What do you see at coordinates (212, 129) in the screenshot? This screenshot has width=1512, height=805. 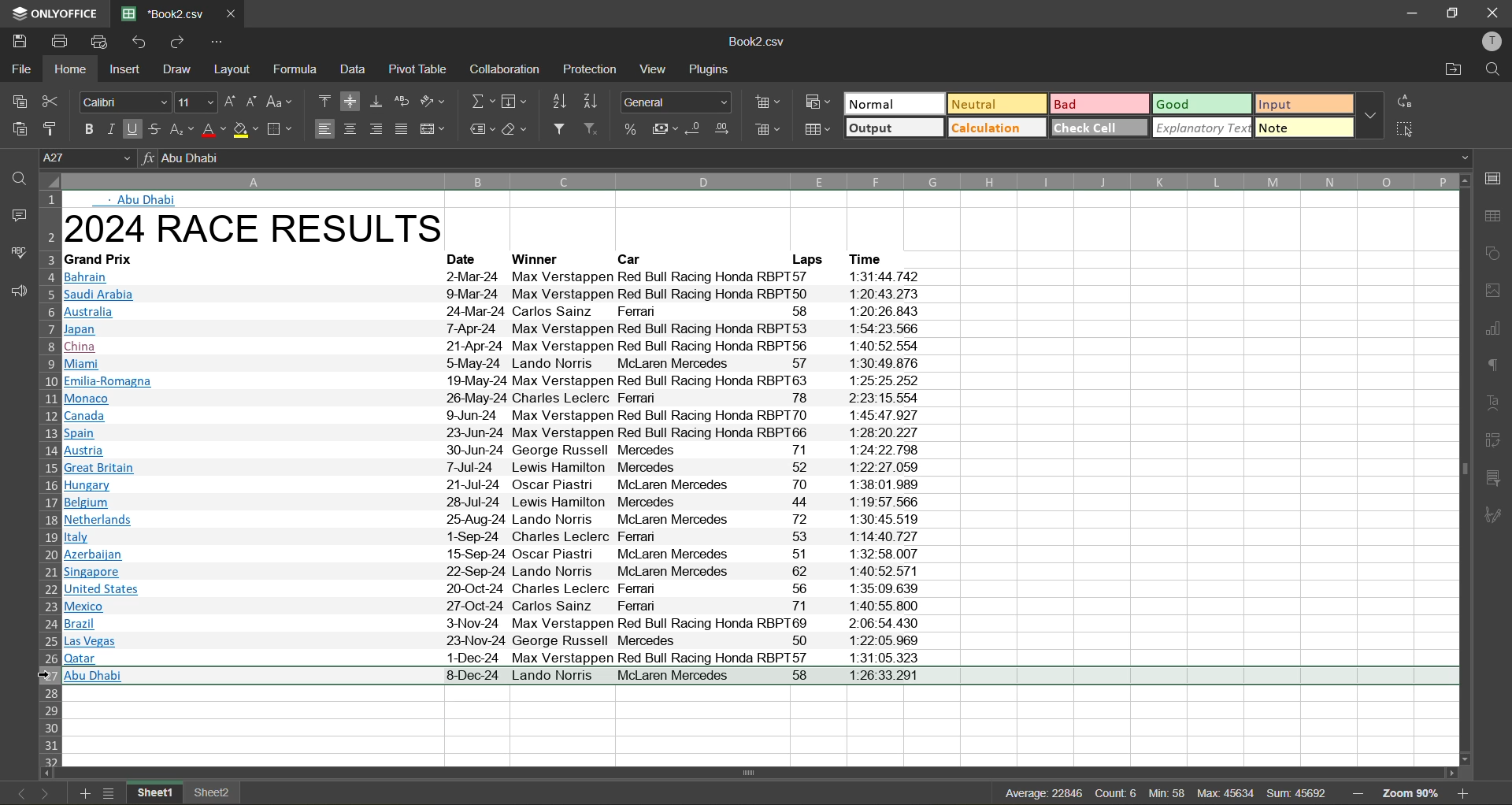 I see `font color` at bounding box center [212, 129].